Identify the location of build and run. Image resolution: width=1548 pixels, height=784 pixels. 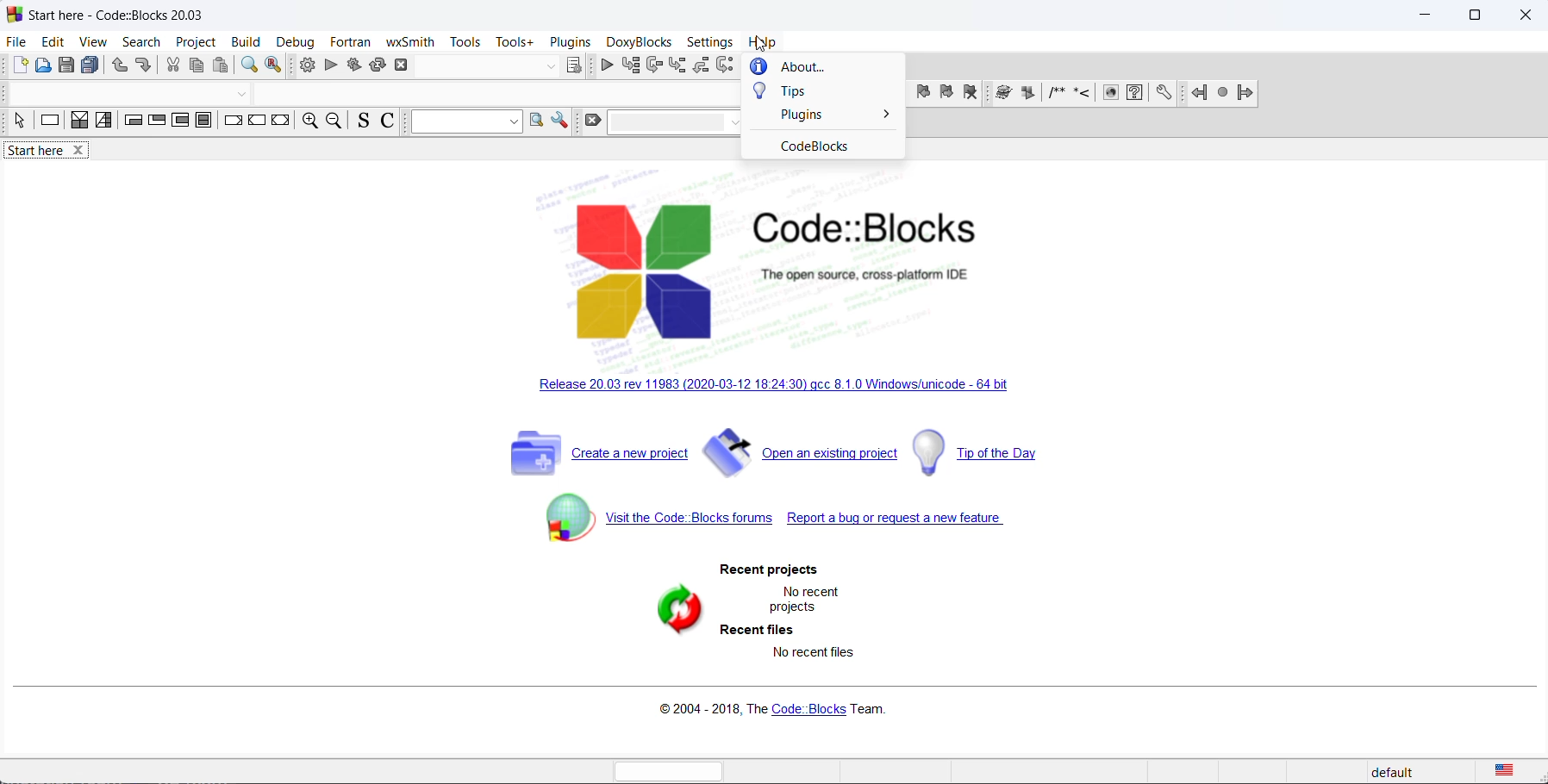
(353, 66).